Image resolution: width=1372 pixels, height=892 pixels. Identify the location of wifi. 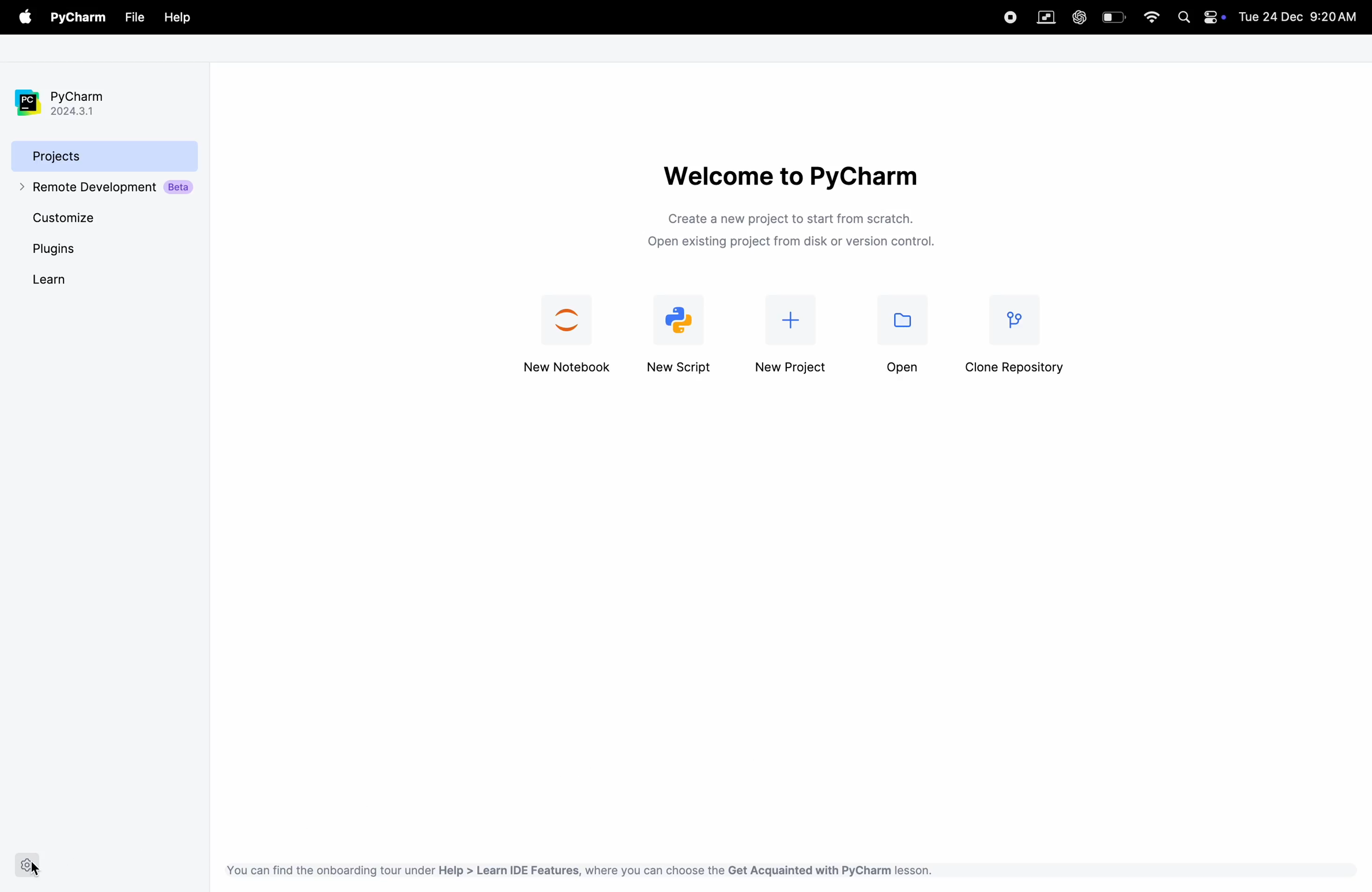
(1152, 17).